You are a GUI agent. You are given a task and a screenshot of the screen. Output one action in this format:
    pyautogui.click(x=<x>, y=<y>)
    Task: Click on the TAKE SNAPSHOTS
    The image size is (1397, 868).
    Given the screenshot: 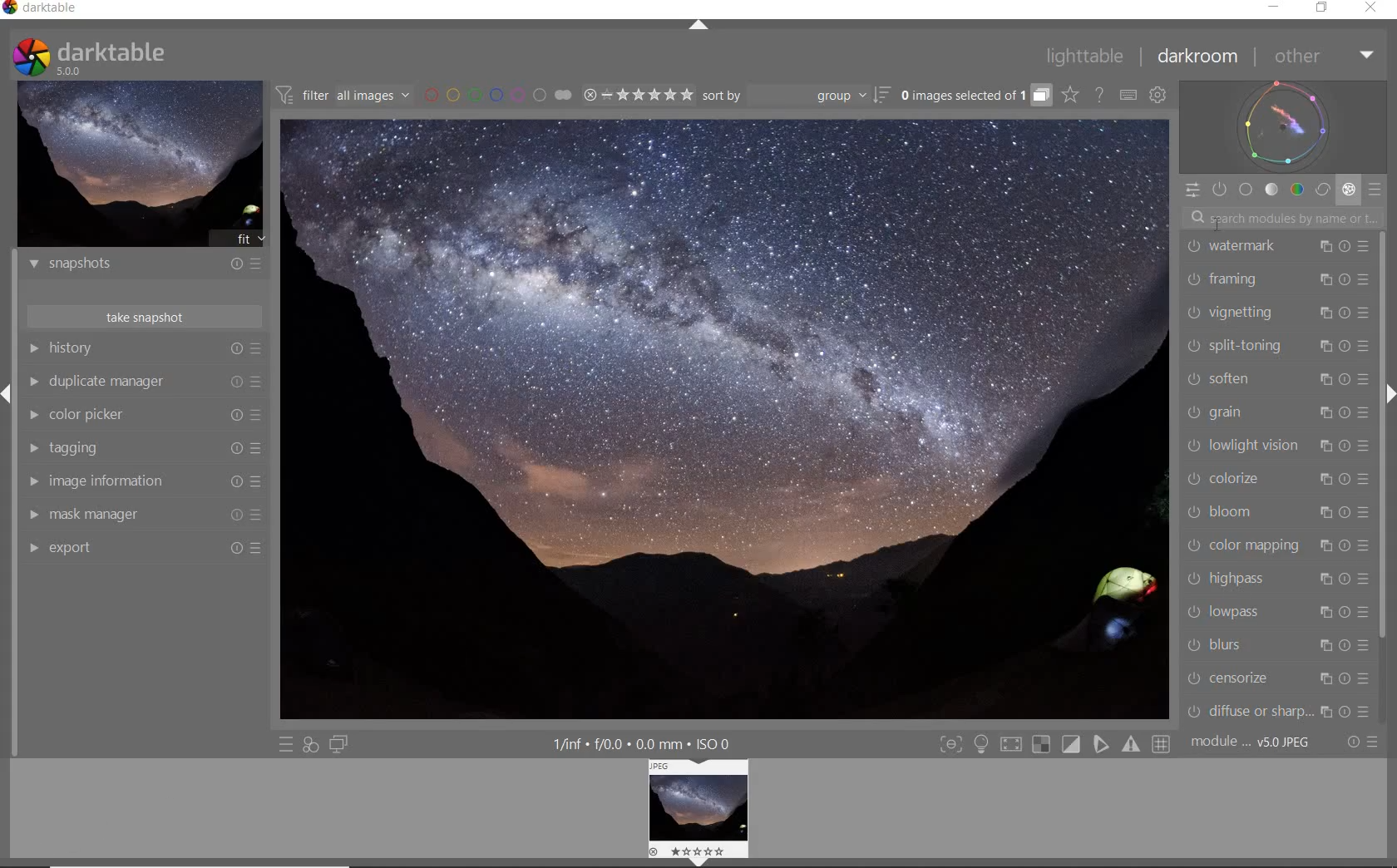 What is the action you would take?
    pyautogui.click(x=146, y=318)
    